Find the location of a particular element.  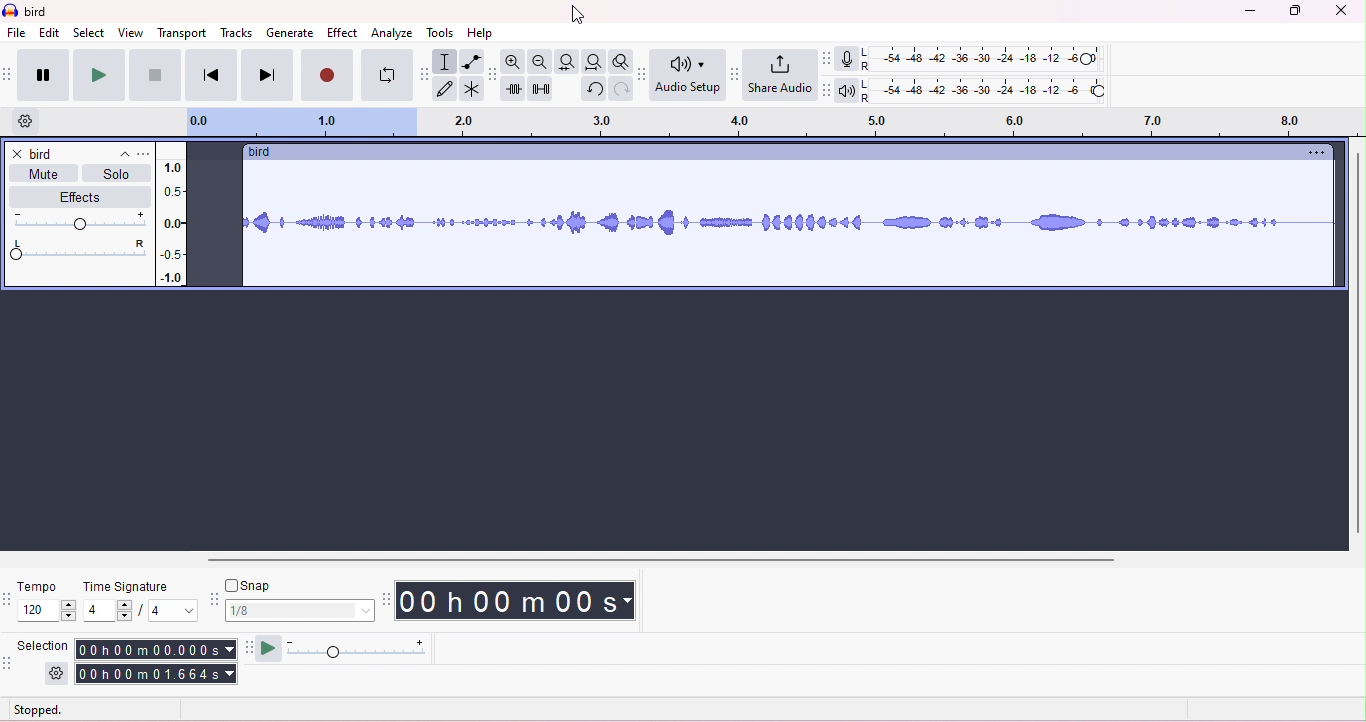

total time is located at coordinates (156, 675).